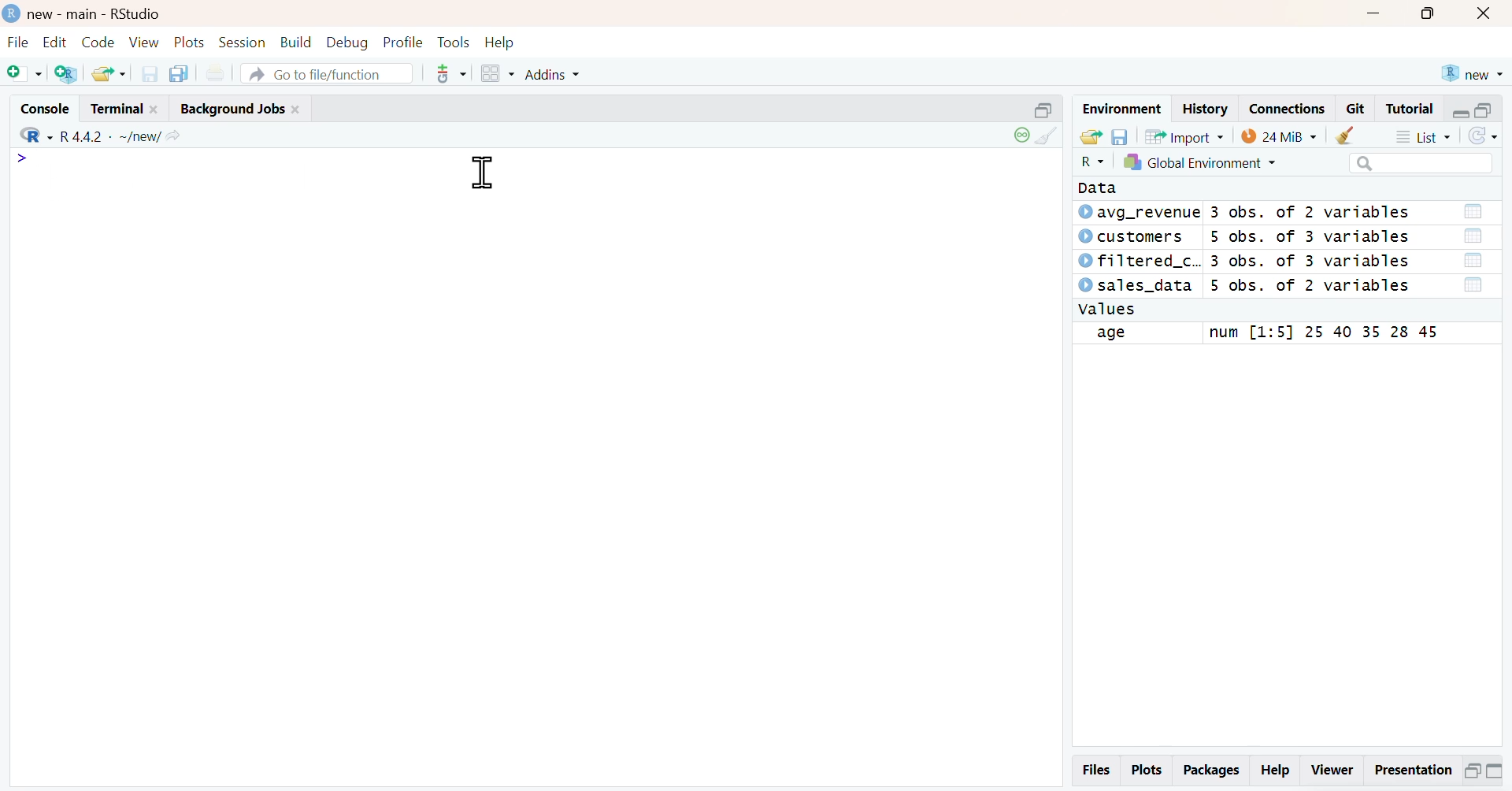 The width and height of the screenshot is (1512, 791). I want to click on Files, so click(1097, 770).